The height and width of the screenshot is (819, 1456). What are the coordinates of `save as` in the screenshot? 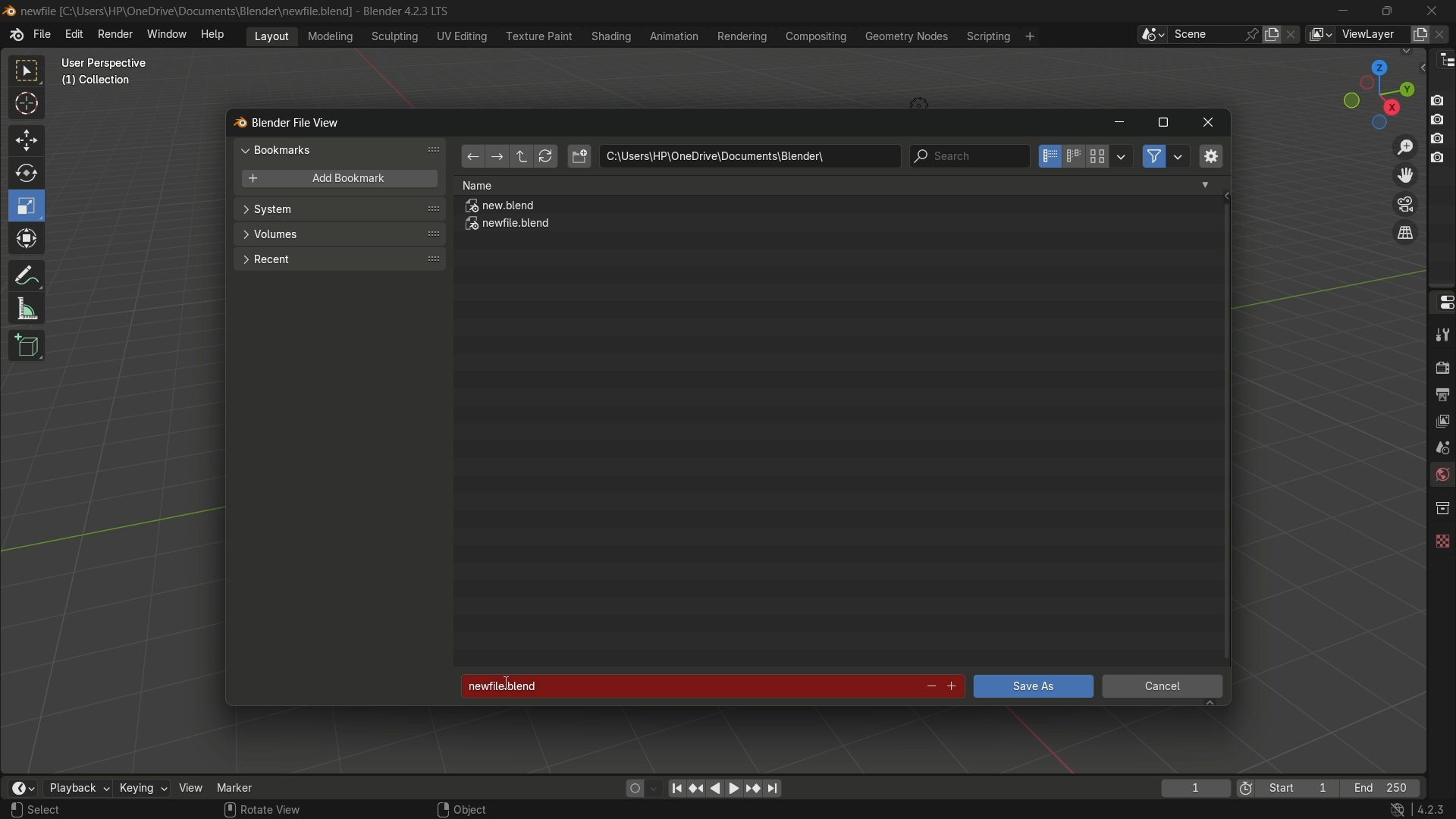 It's located at (1032, 686).